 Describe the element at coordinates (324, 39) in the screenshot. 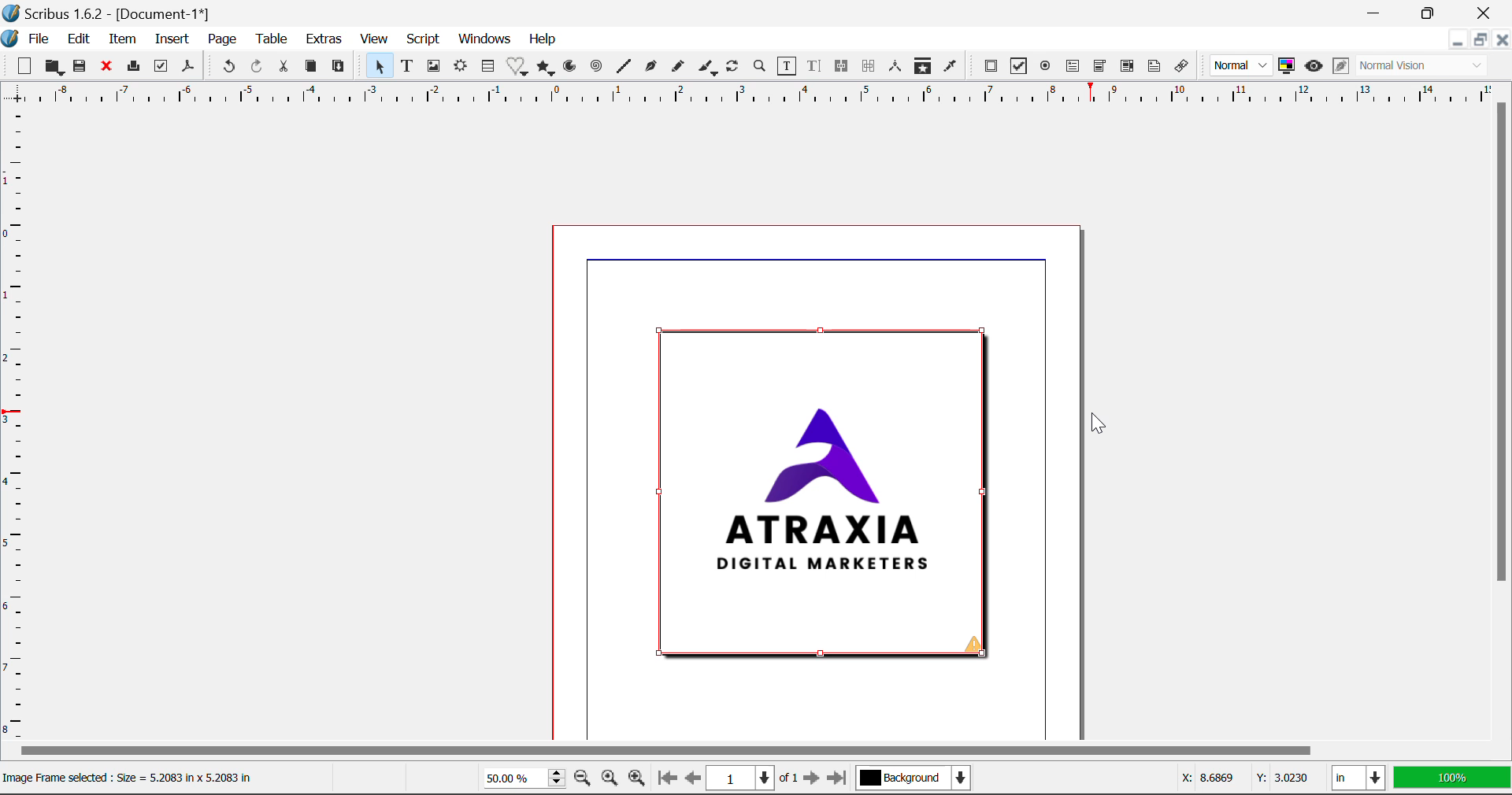

I see `Extras` at that location.